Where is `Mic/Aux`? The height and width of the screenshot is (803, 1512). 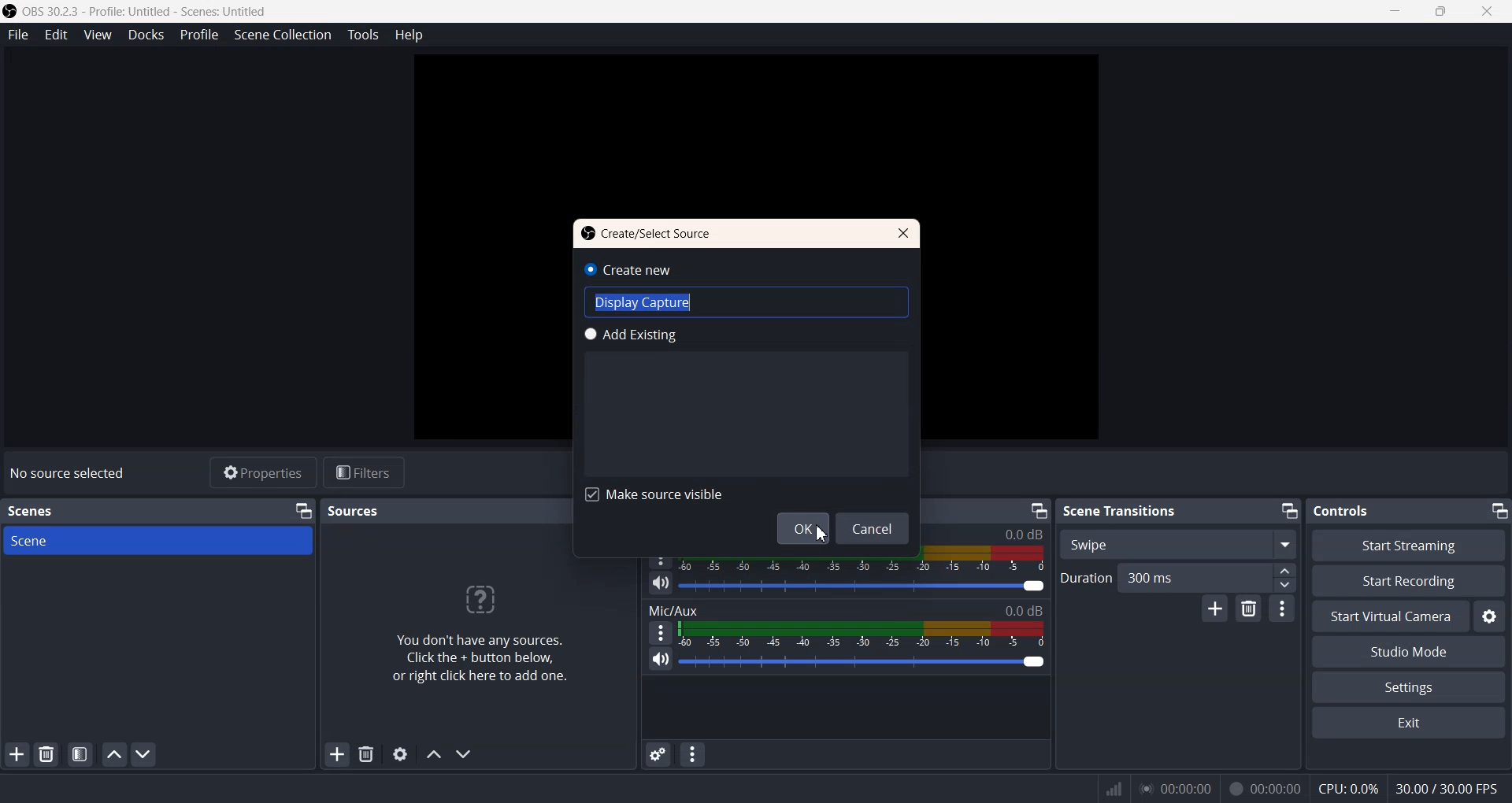
Mic/Aux is located at coordinates (845, 610).